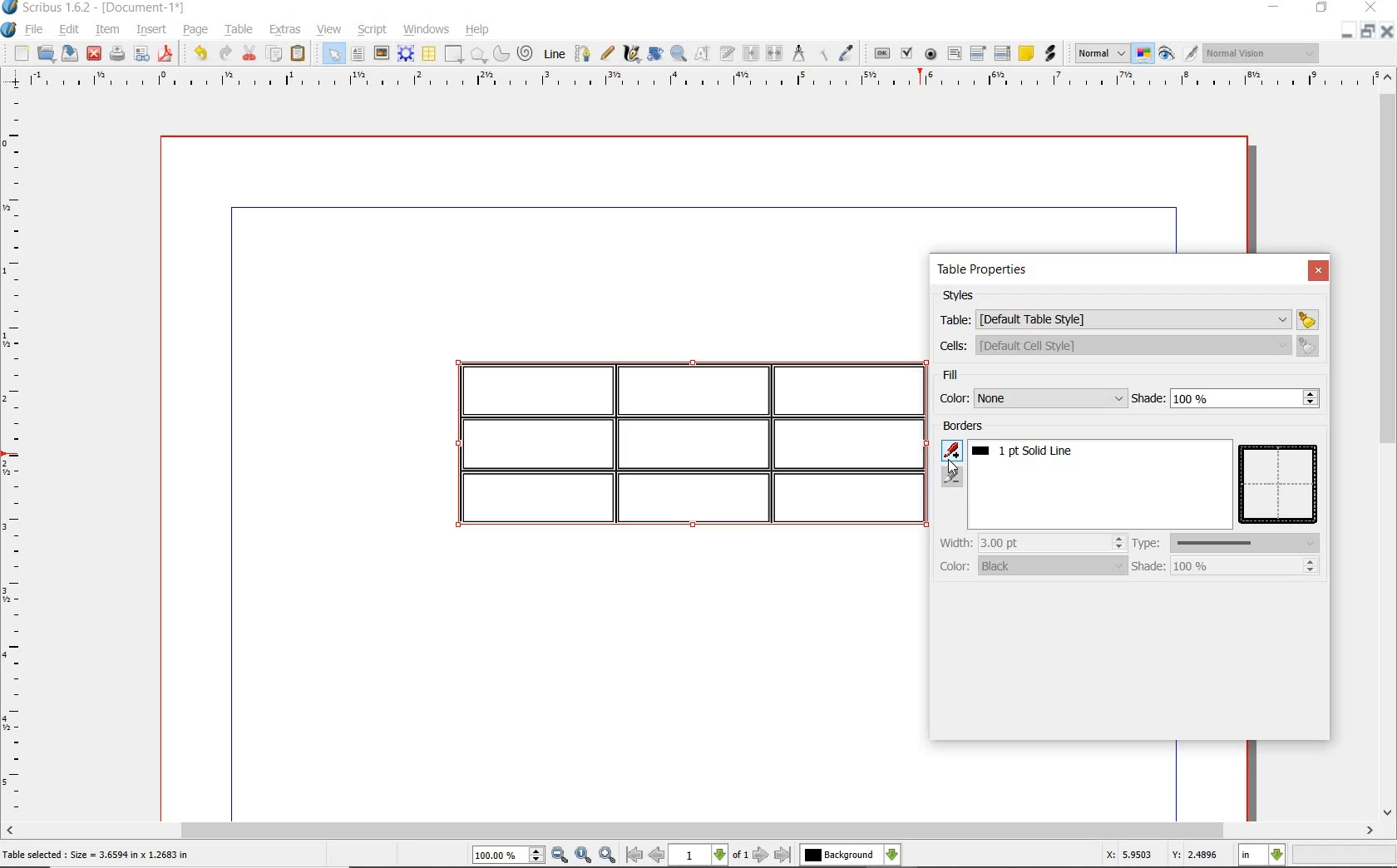 The image size is (1397, 868). What do you see at coordinates (1348, 31) in the screenshot?
I see `MINIMIZE` at bounding box center [1348, 31].